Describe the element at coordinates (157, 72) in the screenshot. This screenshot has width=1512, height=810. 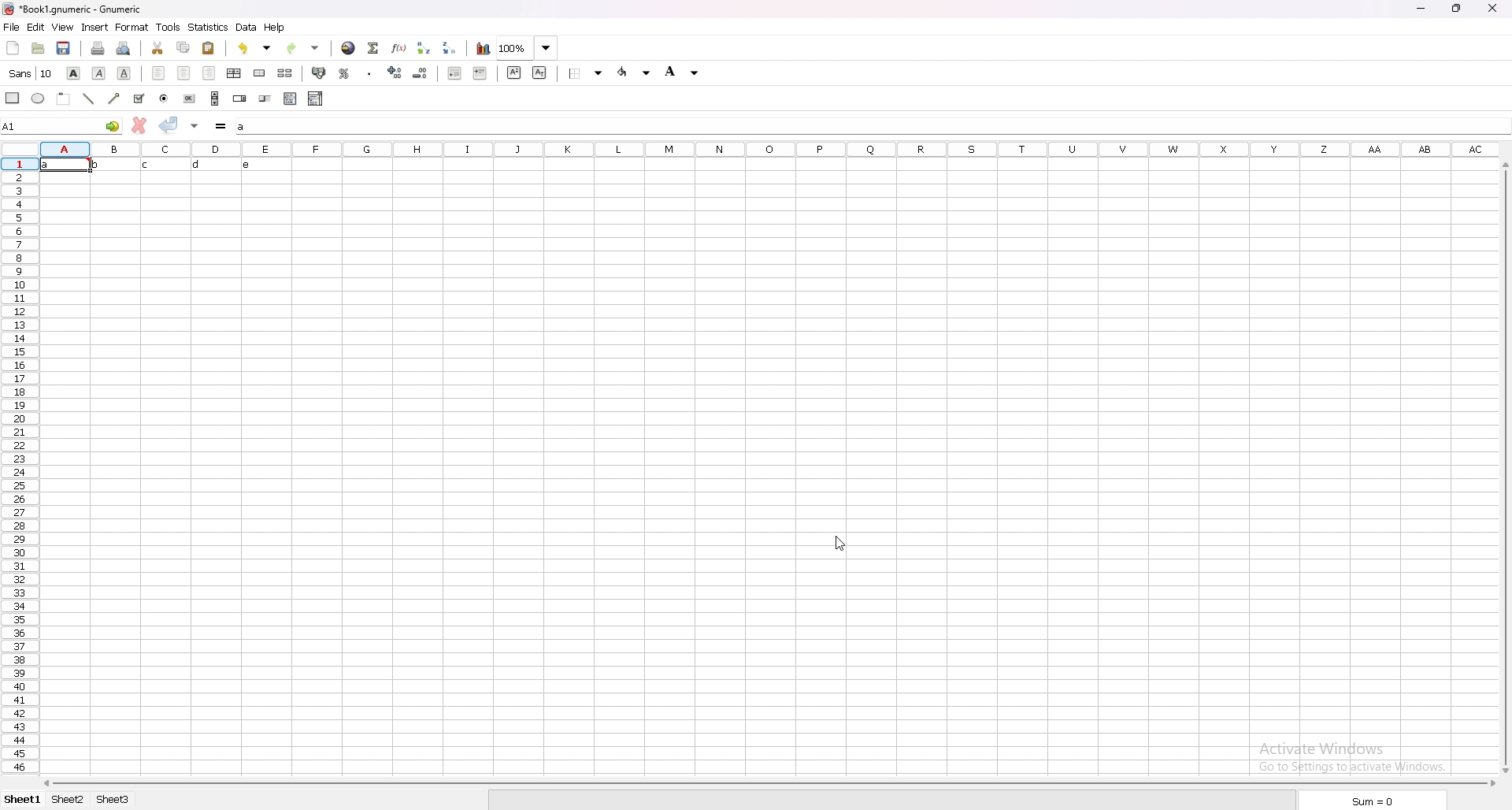
I see `left align` at that location.